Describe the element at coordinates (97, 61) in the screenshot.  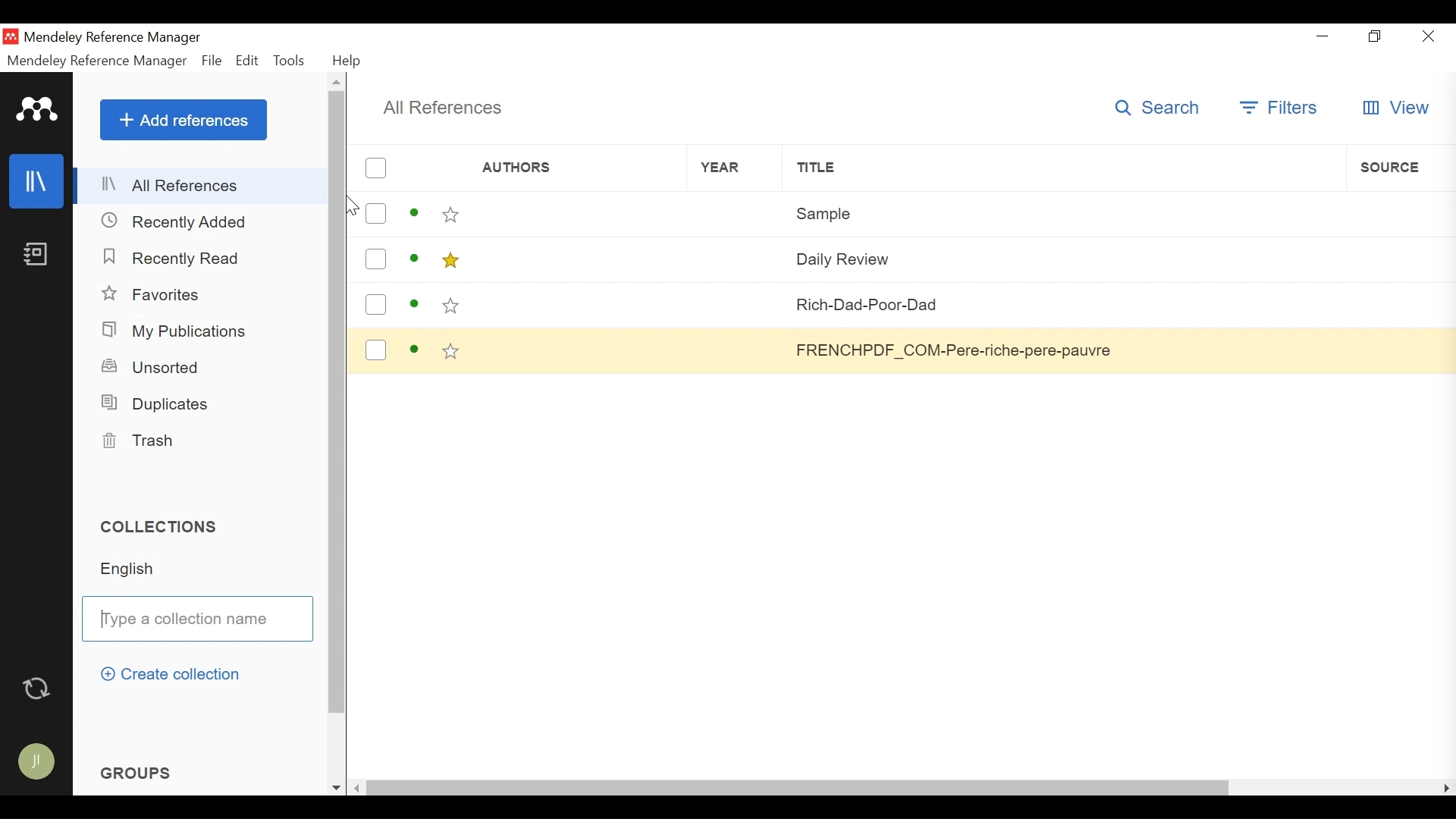
I see `Mendeley Reference Manger ` at that location.